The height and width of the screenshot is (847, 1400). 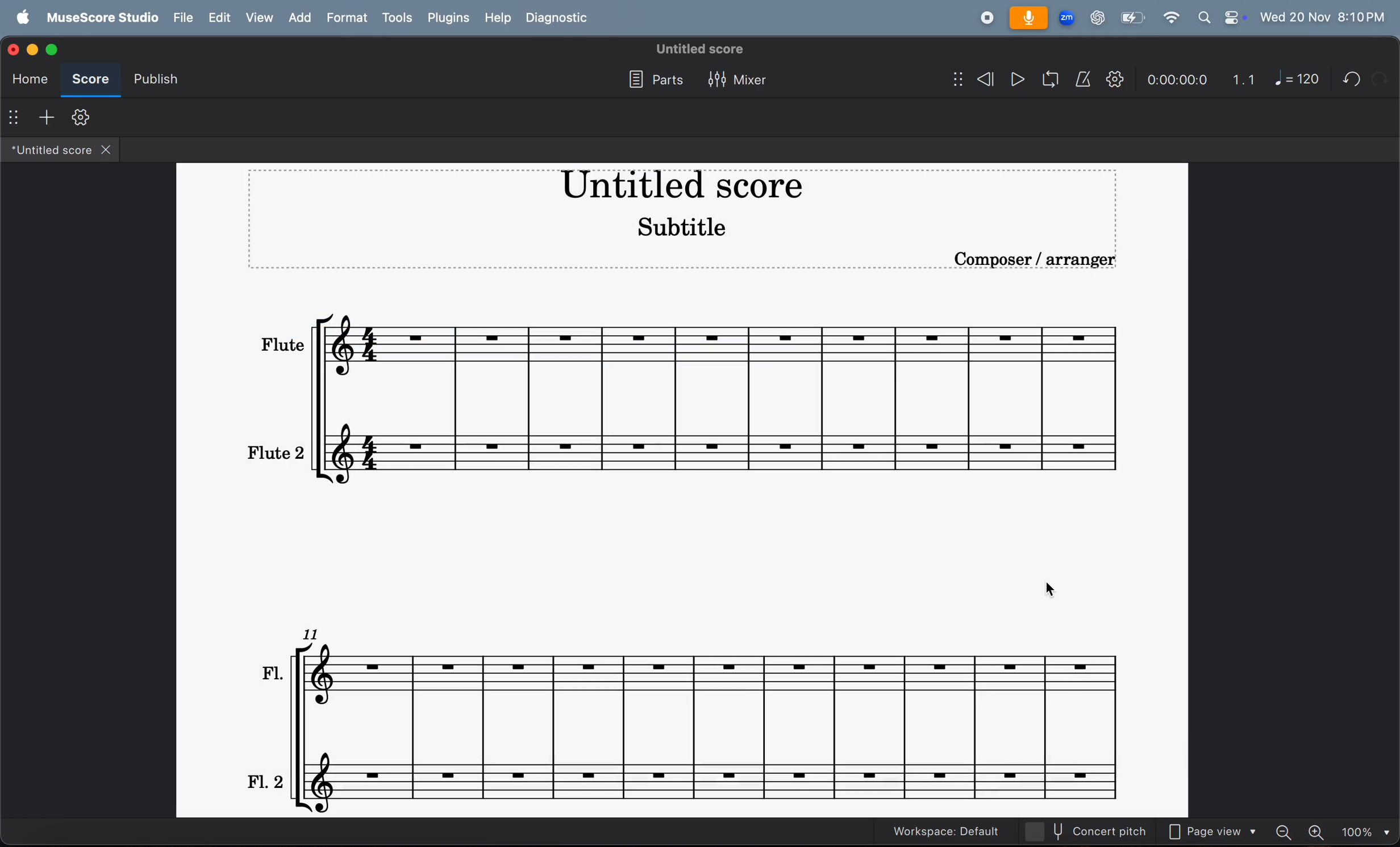 What do you see at coordinates (36, 50) in the screenshot?
I see `minimize` at bounding box center [36, 50].